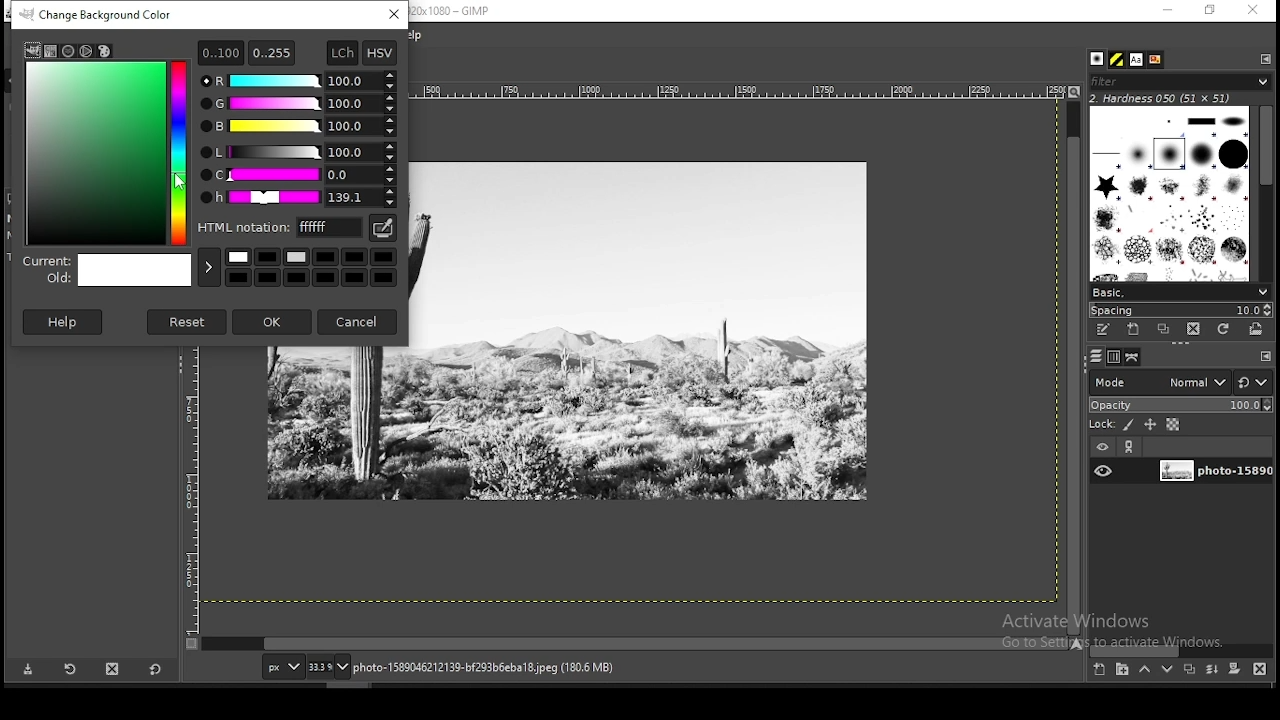 The width and height of the screenshot is (1280, 720). What do you see at coordinates (329, 666) in the screenshot?
I see `zoom level` at bounding box center [329, 666].